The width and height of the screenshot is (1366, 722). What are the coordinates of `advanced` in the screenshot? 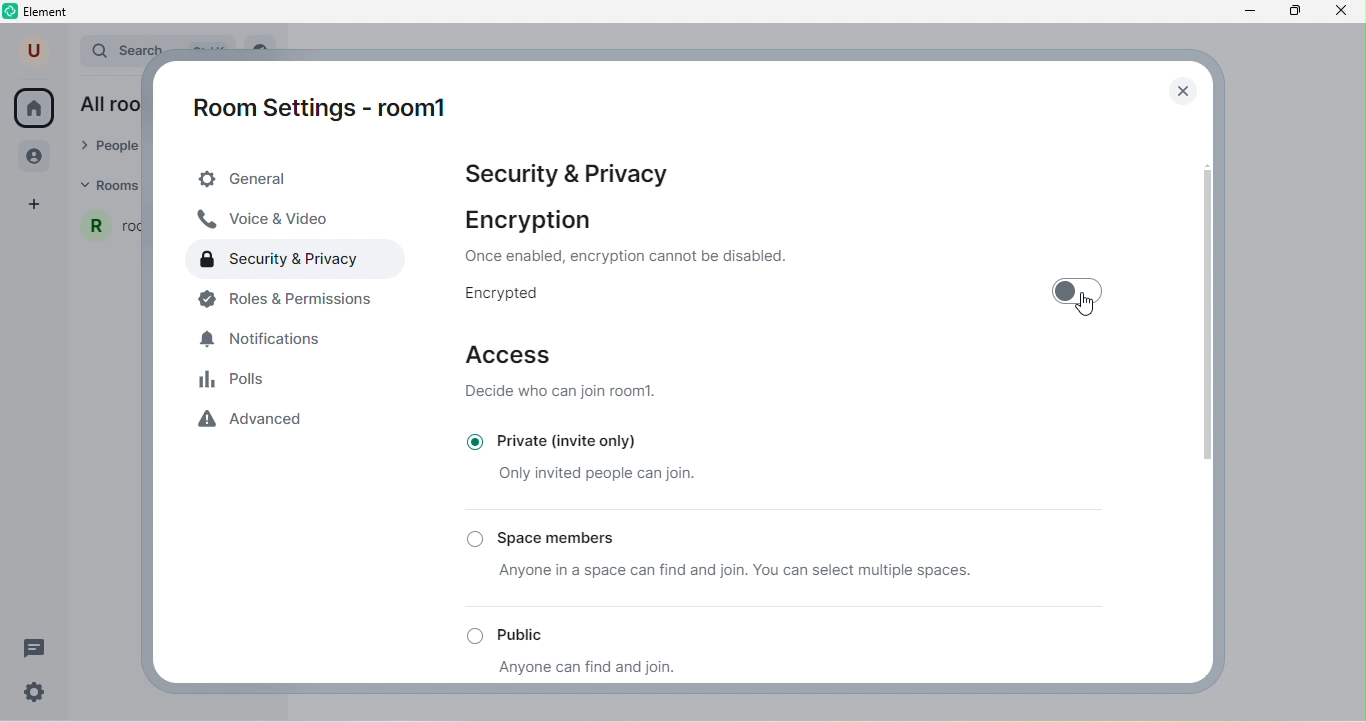 It's located at (259, 421).